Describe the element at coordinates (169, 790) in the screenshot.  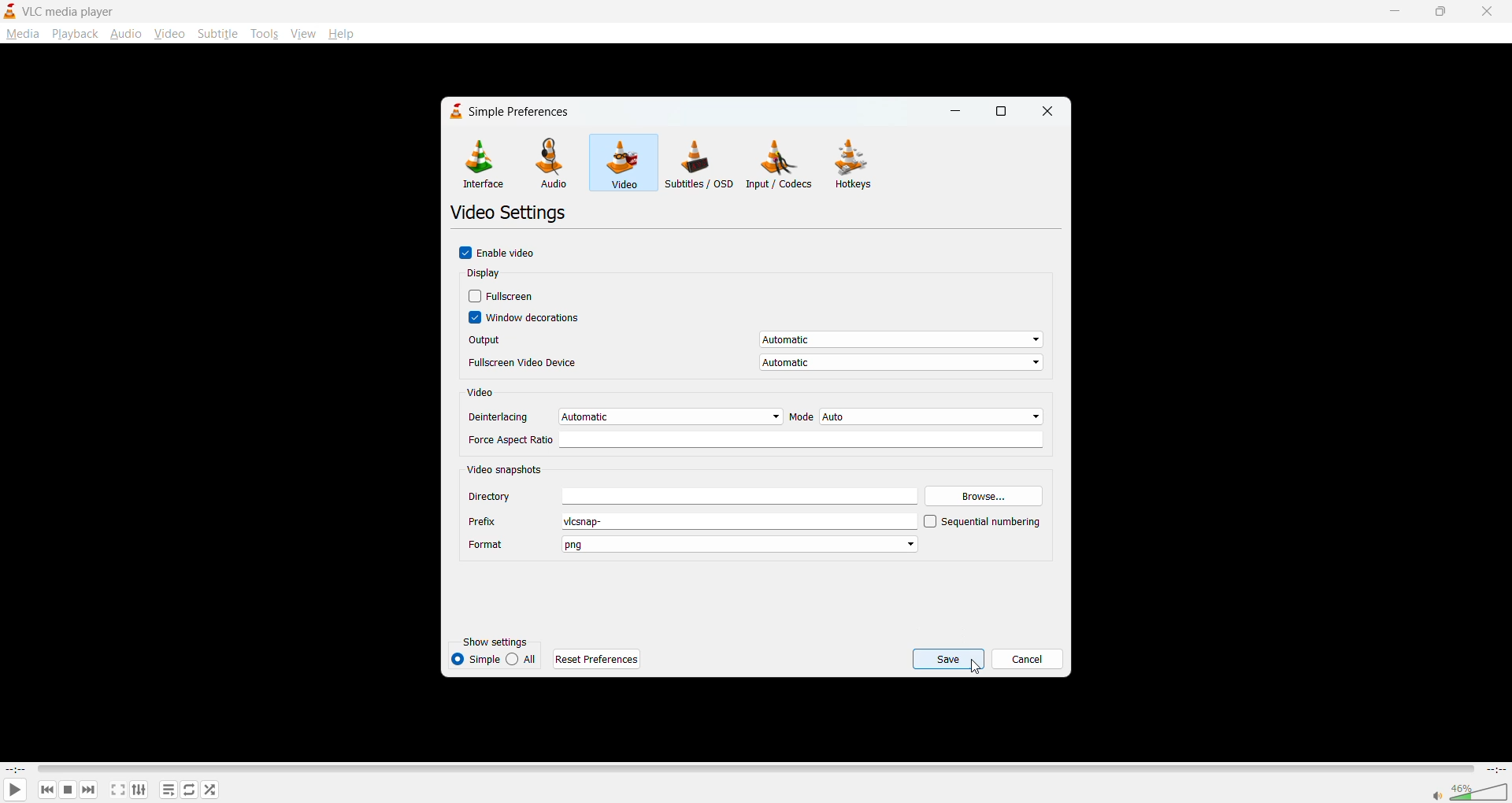
I see `playlist` at that location.